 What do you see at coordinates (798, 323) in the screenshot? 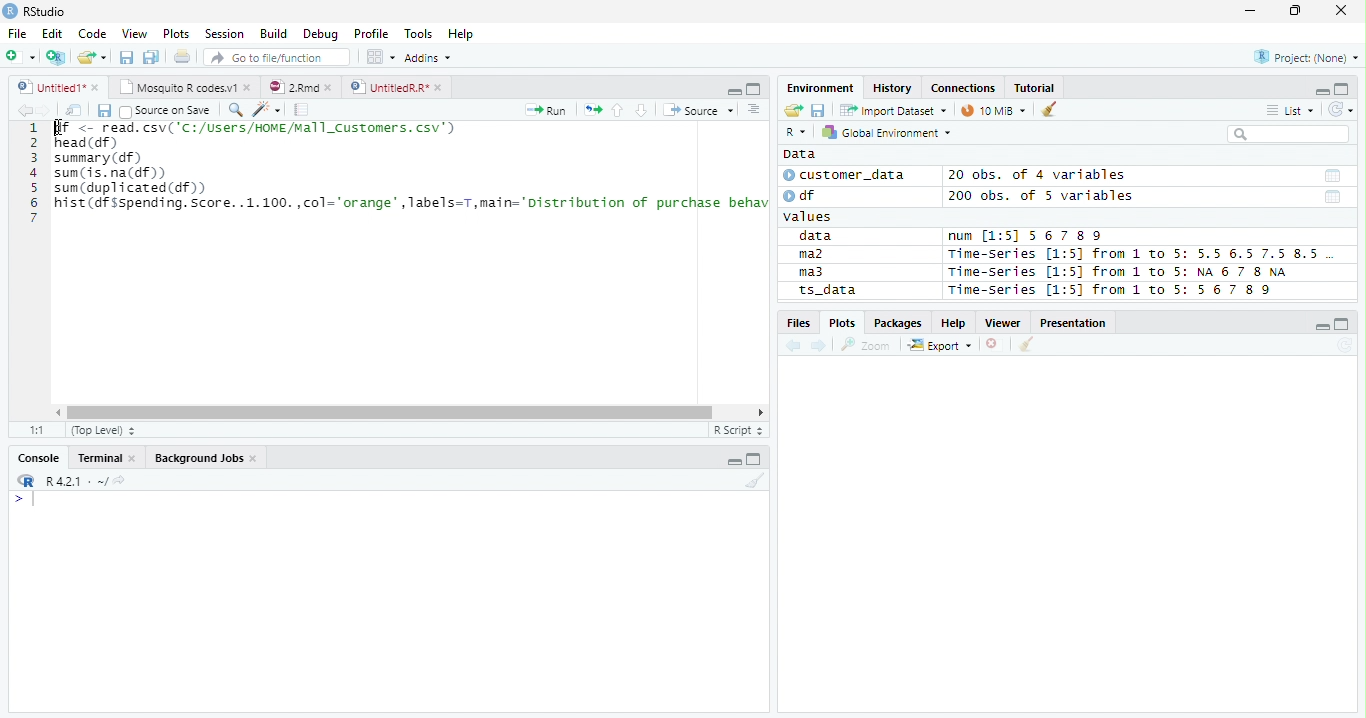
I see `Files` at bounding box center [798, 323].